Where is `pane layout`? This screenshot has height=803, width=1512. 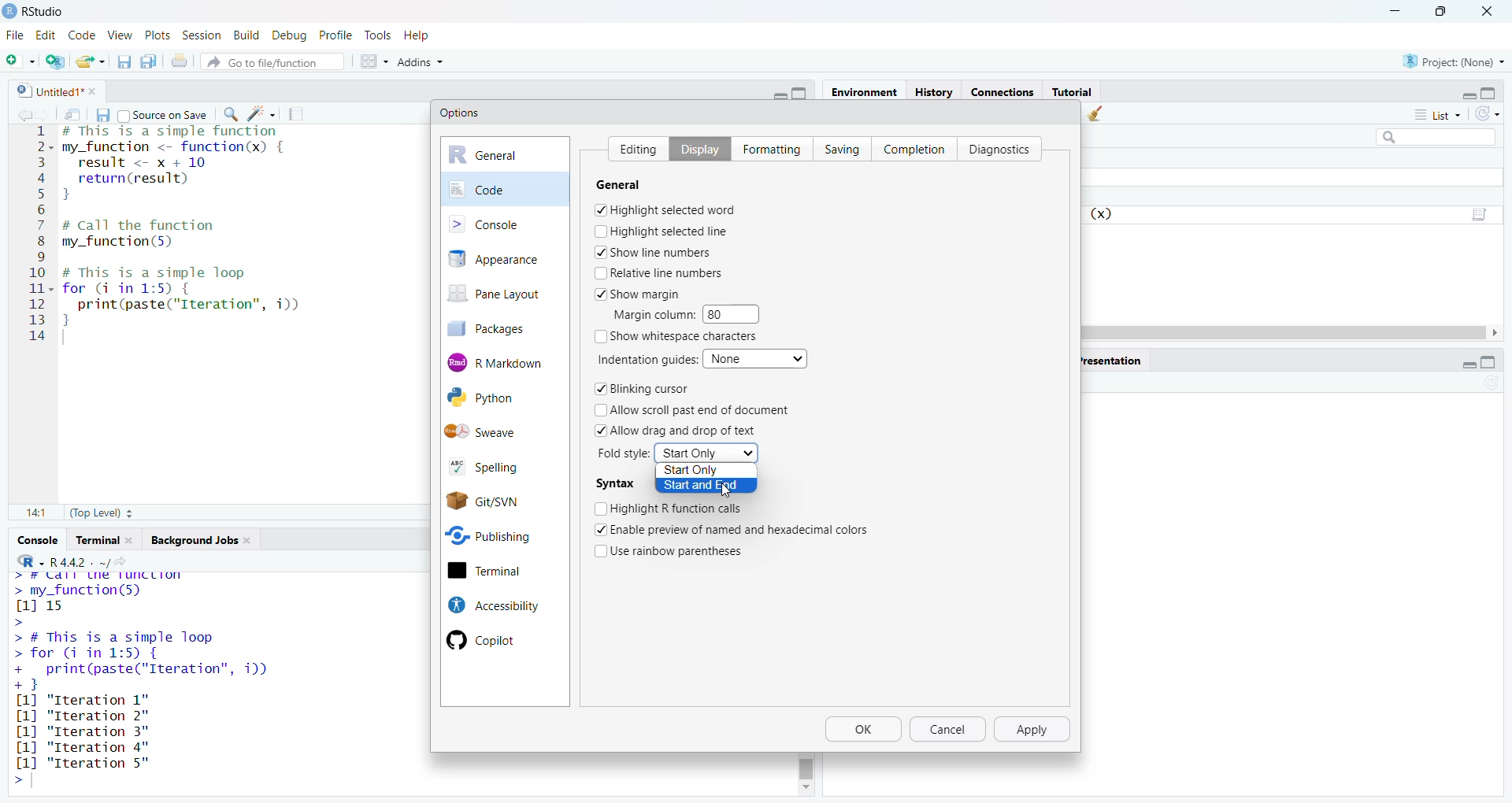
pane layout is located at coordinates (499, 295).